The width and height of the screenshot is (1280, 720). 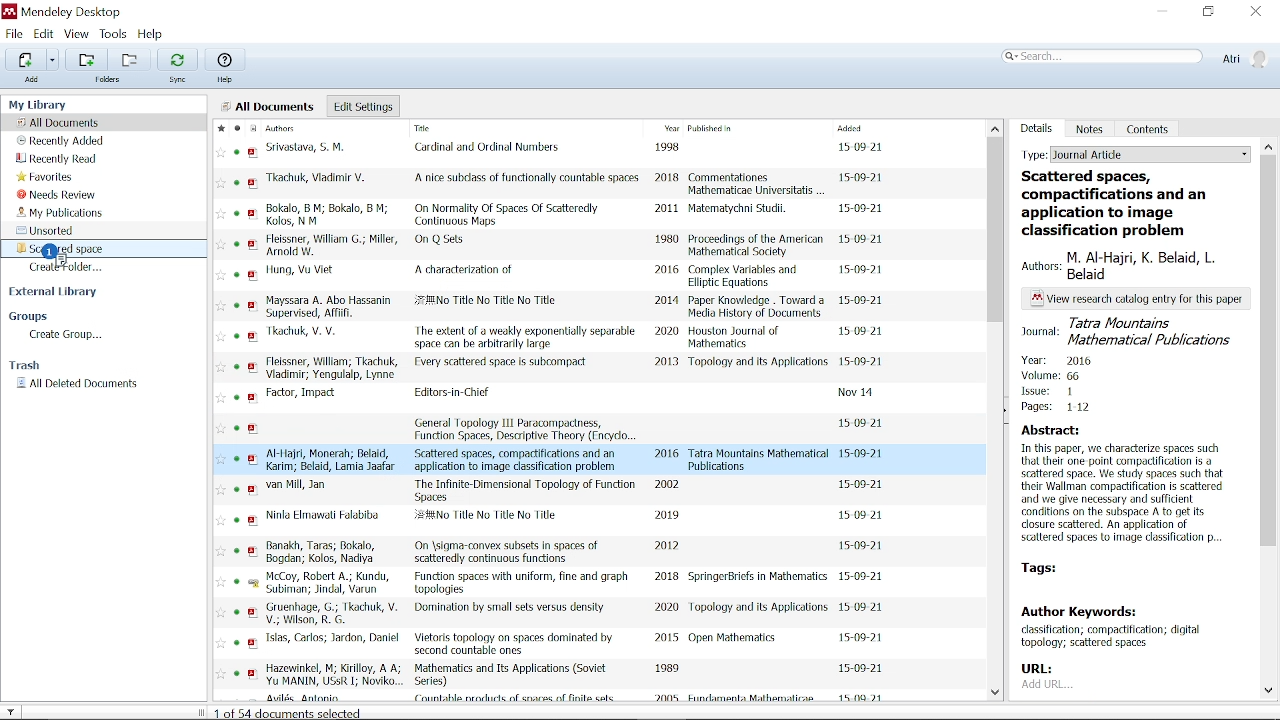 I want to click on my library, so click(x=40, y=104).